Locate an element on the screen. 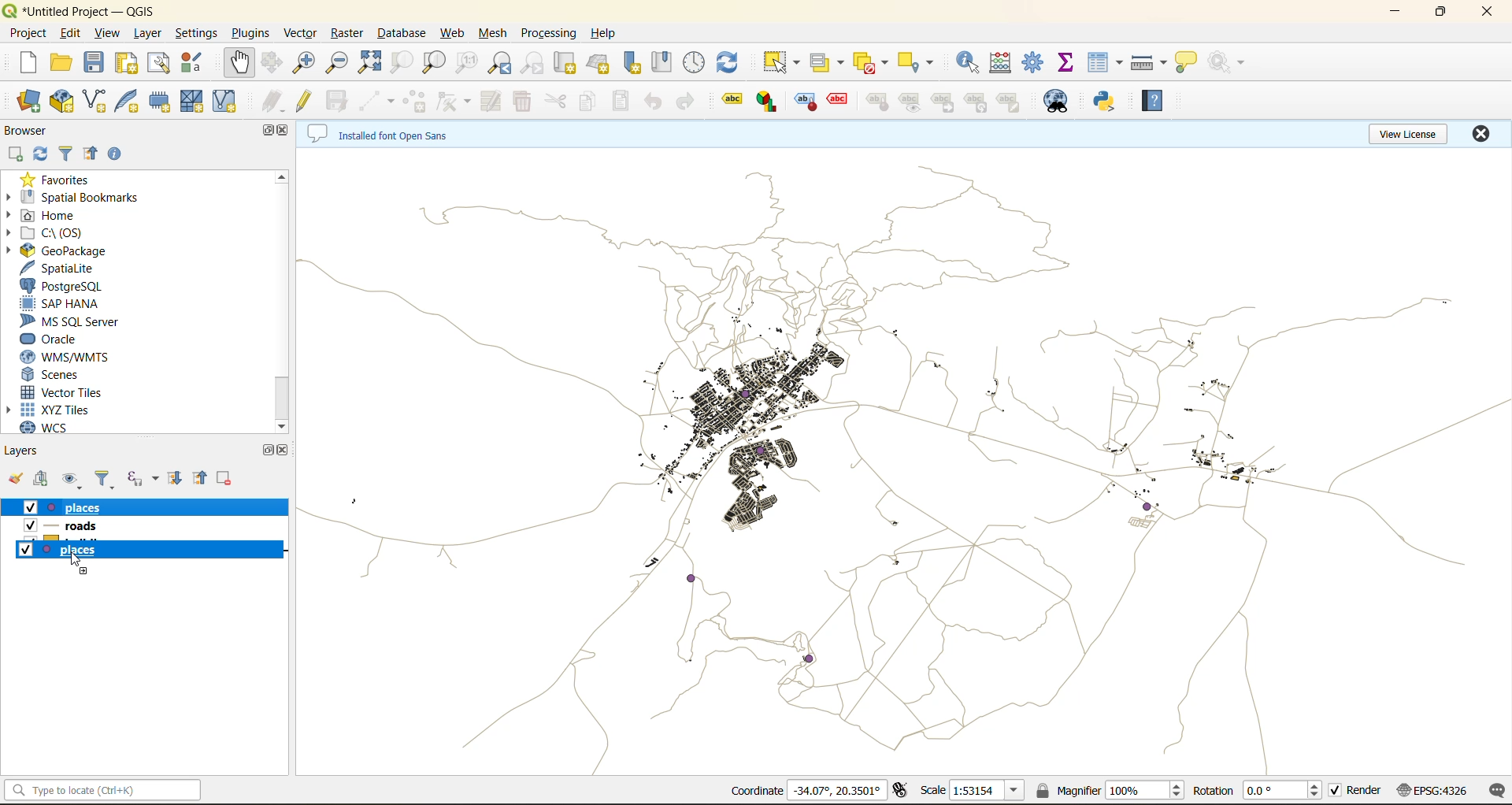  close is located at coordinates (287, 132).